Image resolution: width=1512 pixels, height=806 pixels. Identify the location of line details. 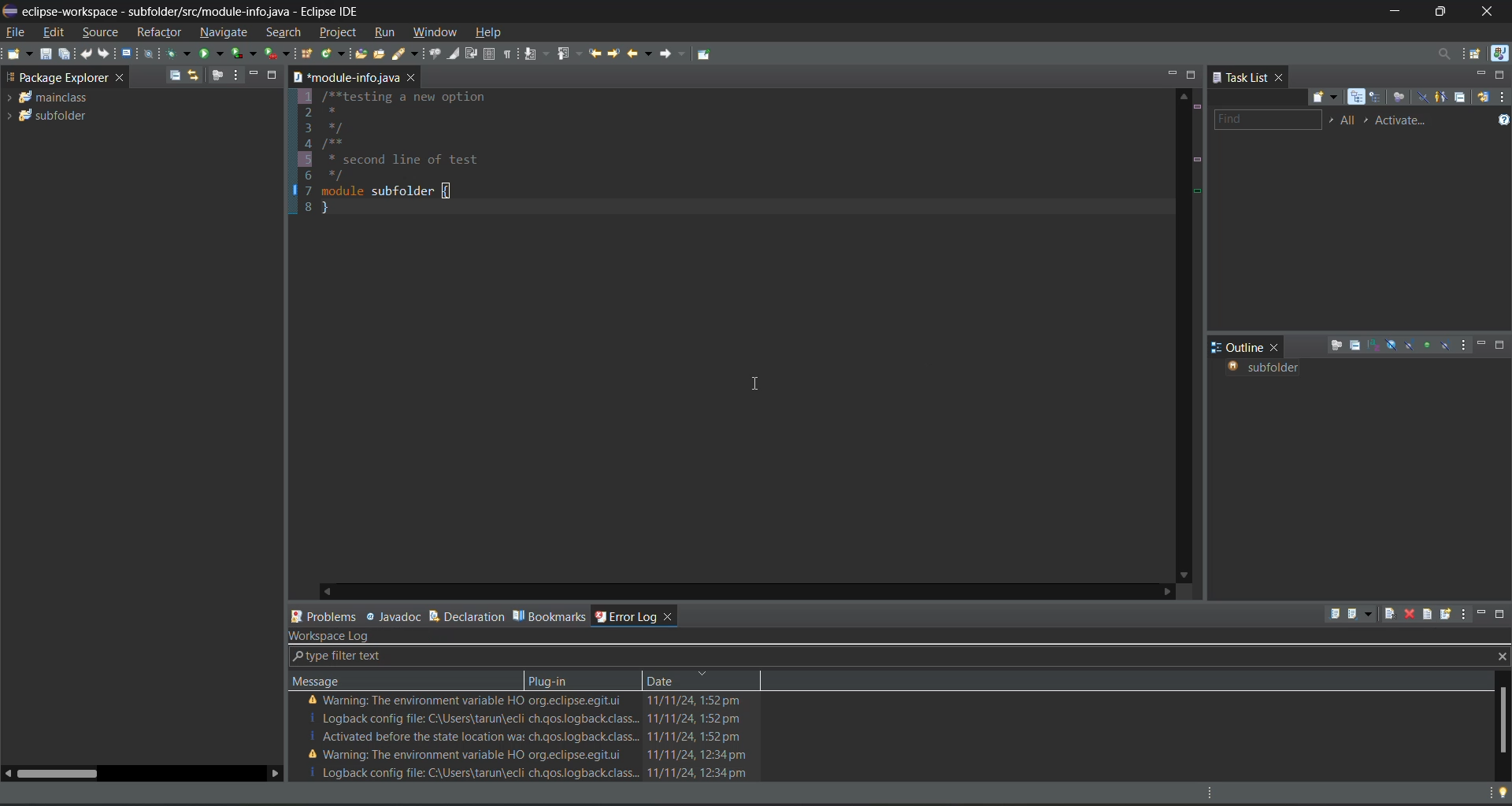
(1200, 178).